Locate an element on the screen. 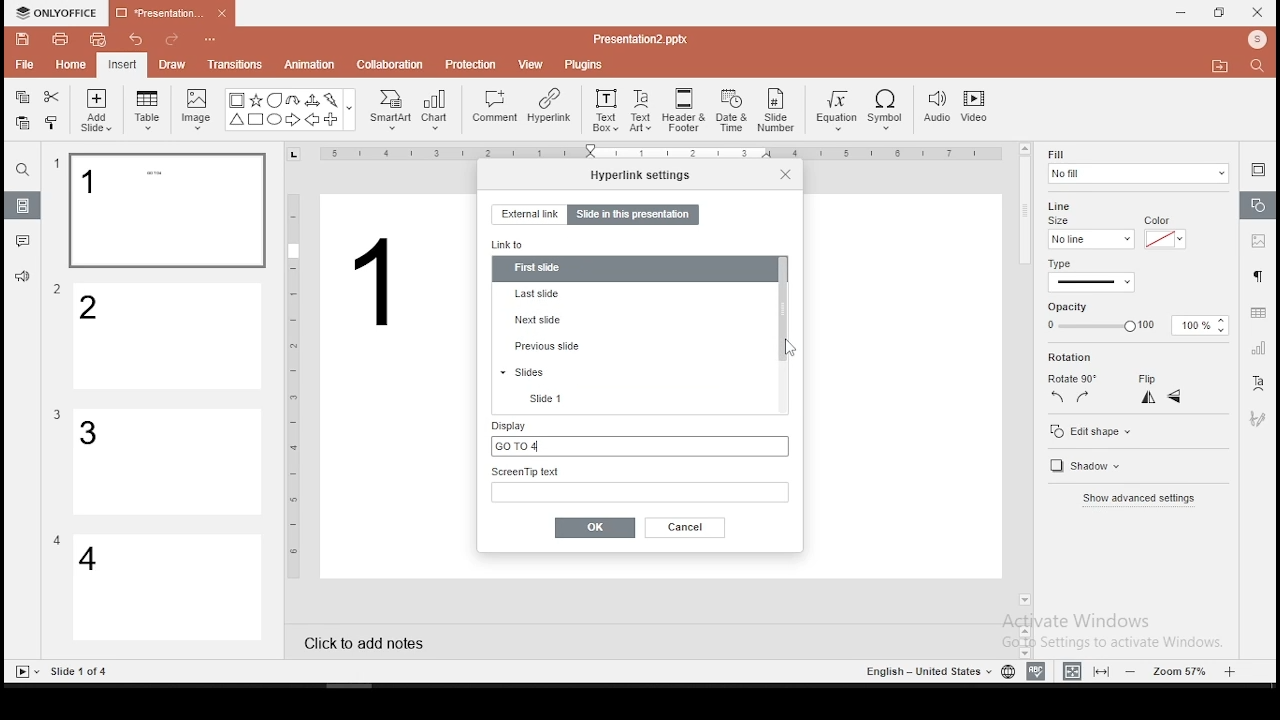 Image resolution: width=1280 pixels, height=720 pixels. Square is located at coordinates (255, 121).